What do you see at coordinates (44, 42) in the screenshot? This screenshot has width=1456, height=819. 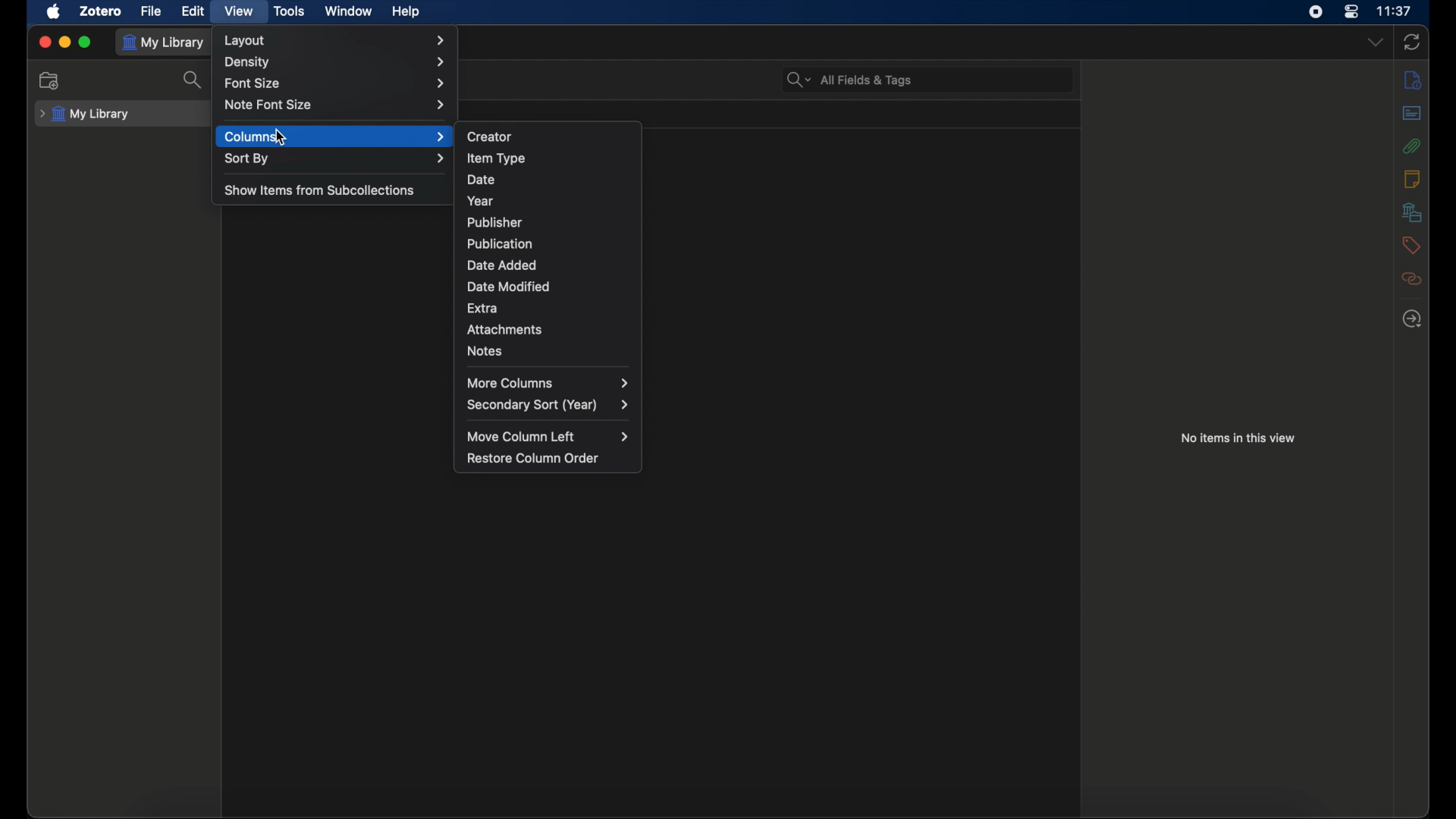 I see `close` at bounding box center [44, 42].